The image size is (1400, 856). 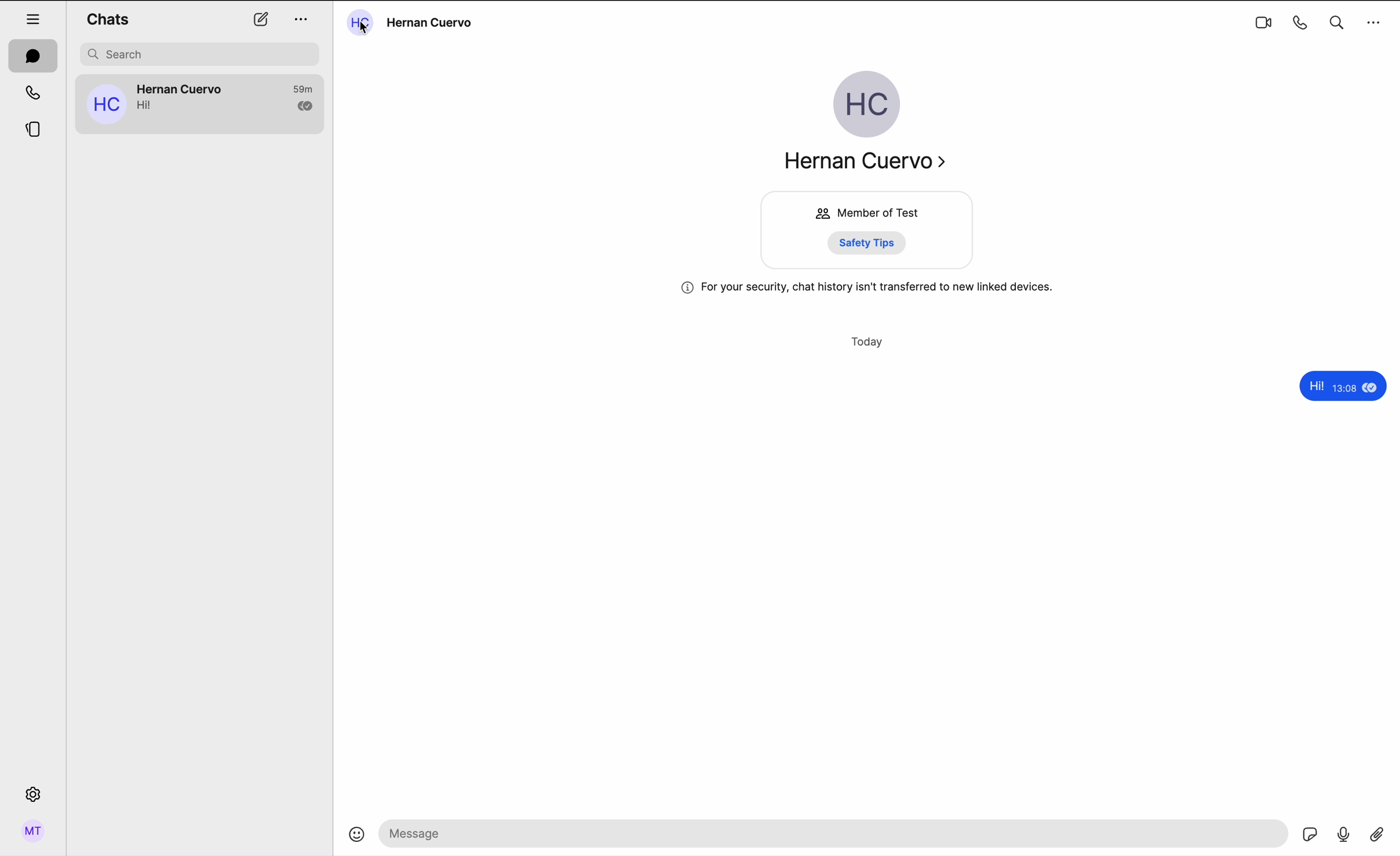 I want to click on click on the name, so click(x=412, y=20).